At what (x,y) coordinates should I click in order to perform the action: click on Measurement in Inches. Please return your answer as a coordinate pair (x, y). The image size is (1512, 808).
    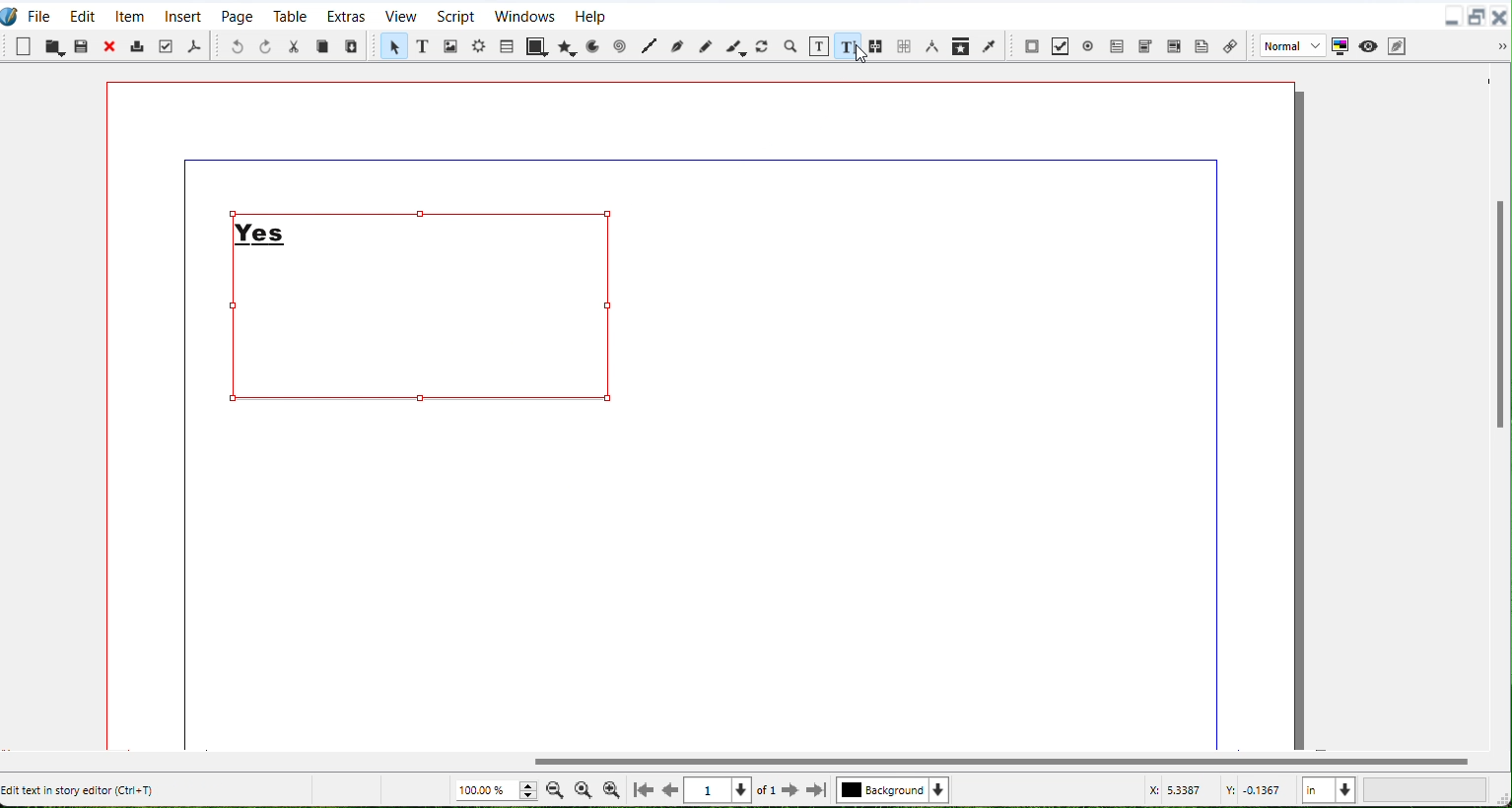
    Looking at the image, I should click on (1329, 788).